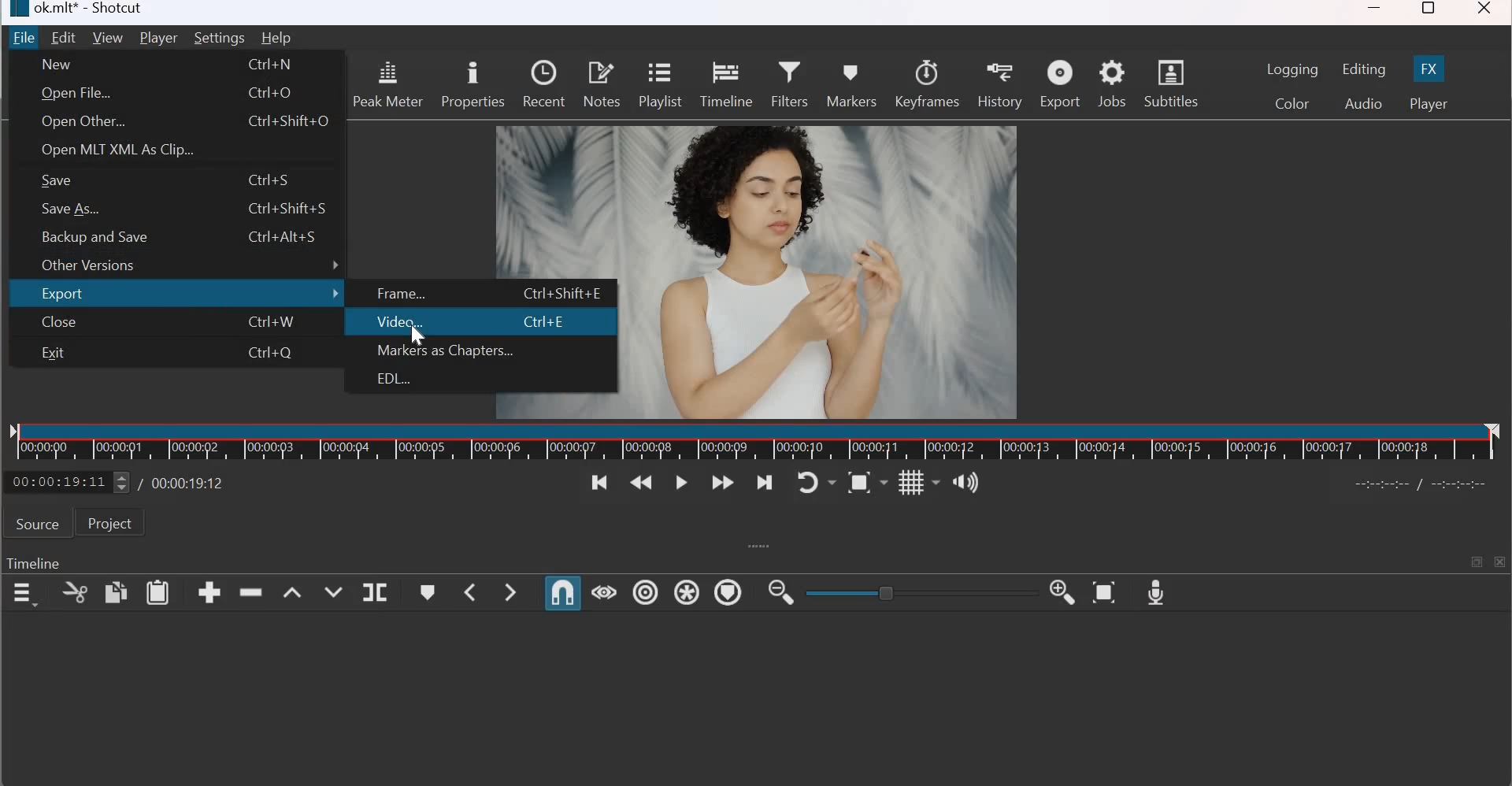  I want to click on Peak meter, so click(387, 83).